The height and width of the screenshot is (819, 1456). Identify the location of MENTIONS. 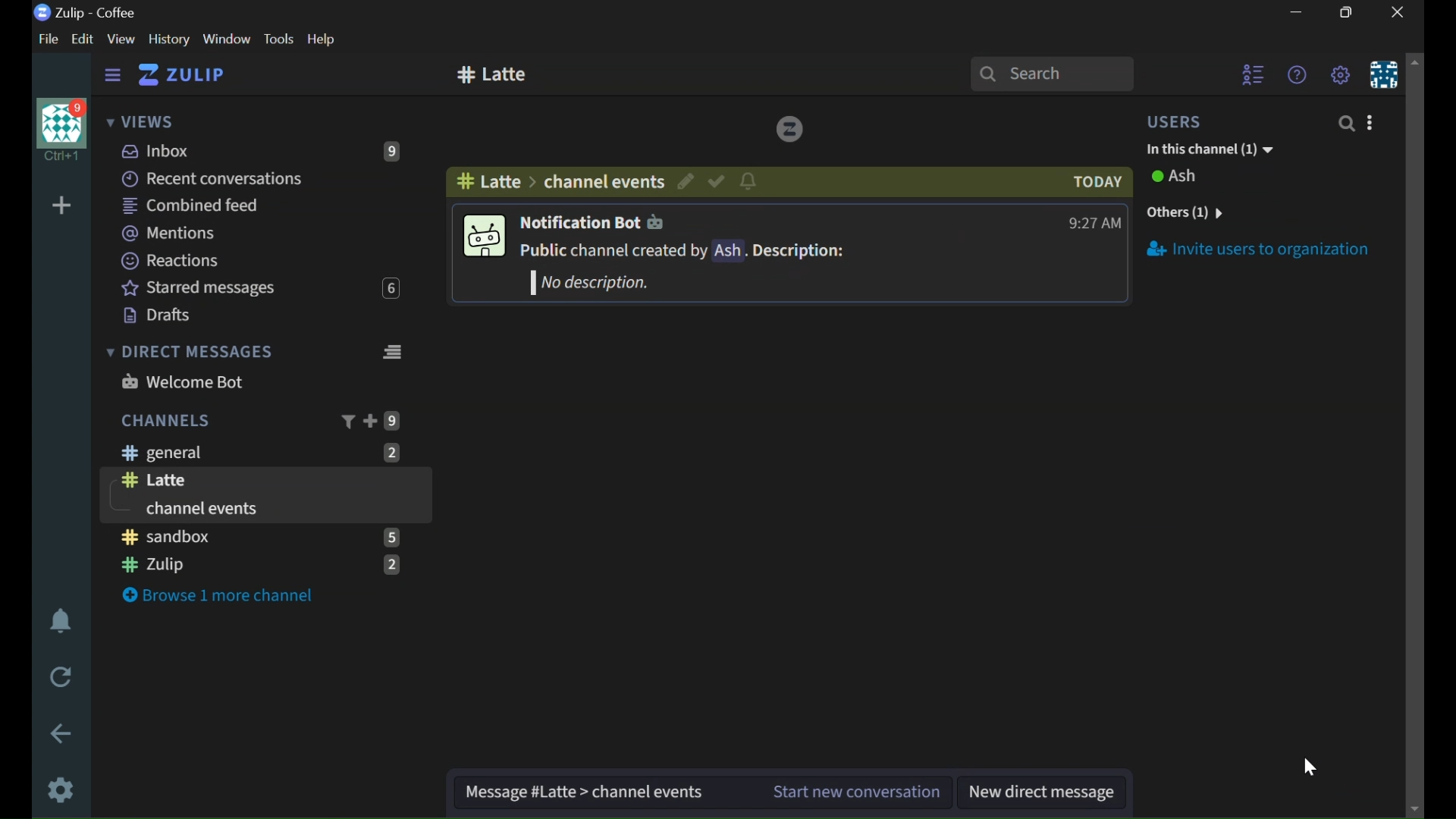
(237, 233).